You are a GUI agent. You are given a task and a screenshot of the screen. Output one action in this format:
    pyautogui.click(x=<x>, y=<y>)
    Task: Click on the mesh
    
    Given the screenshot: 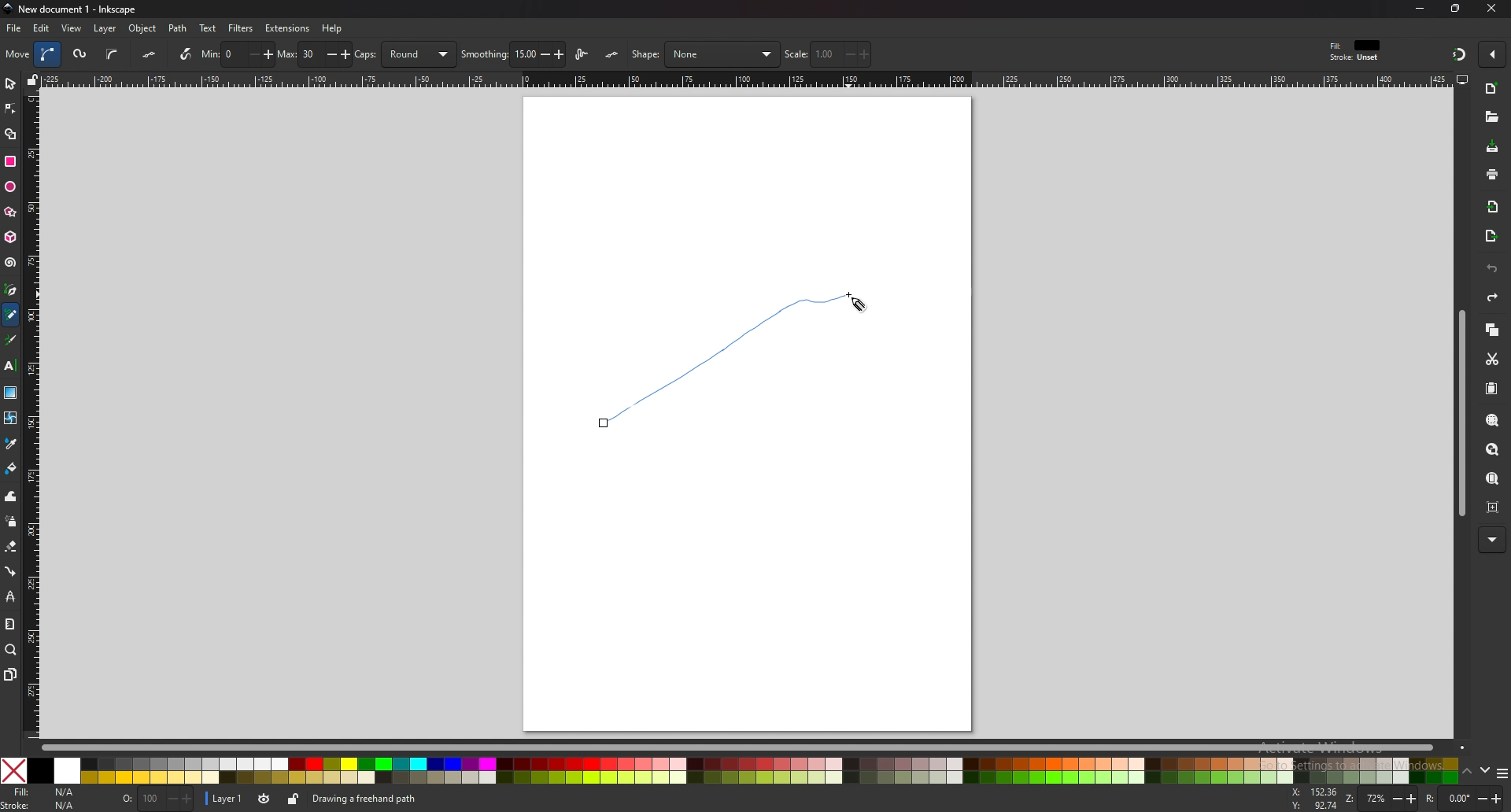 What is the action you would take?
    pyautogui.click(x=11, y=418)
    